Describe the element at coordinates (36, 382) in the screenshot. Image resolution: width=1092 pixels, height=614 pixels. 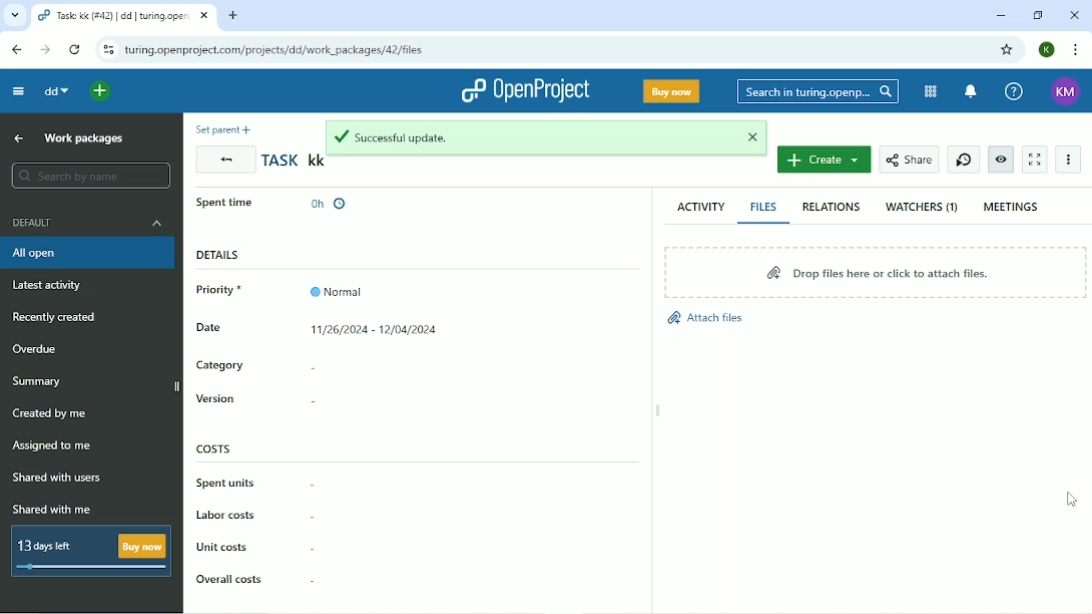
I see `Summary` at that location.